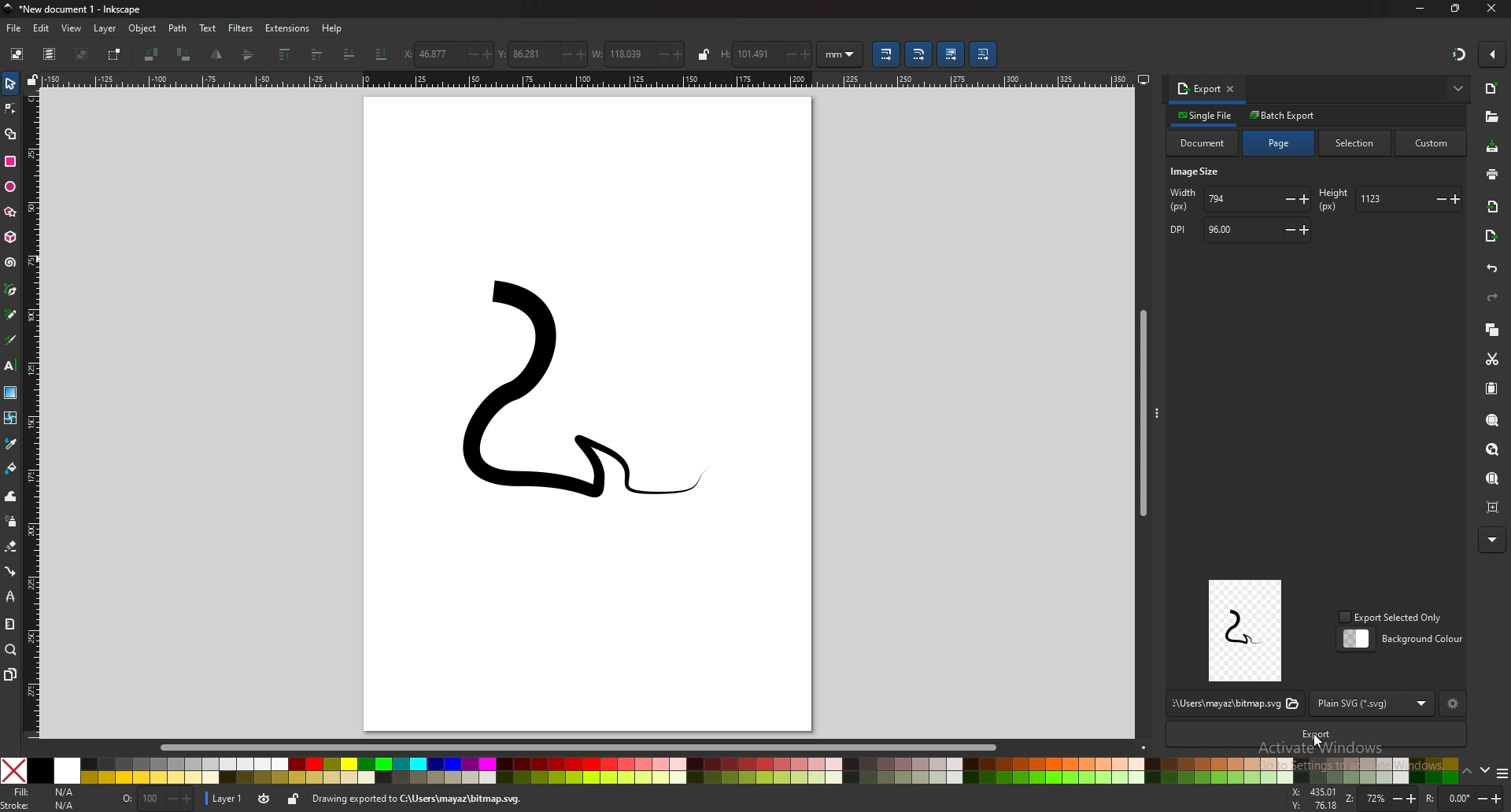 The image size is (1511, 812). I want to click on up, so click(1467, 771).